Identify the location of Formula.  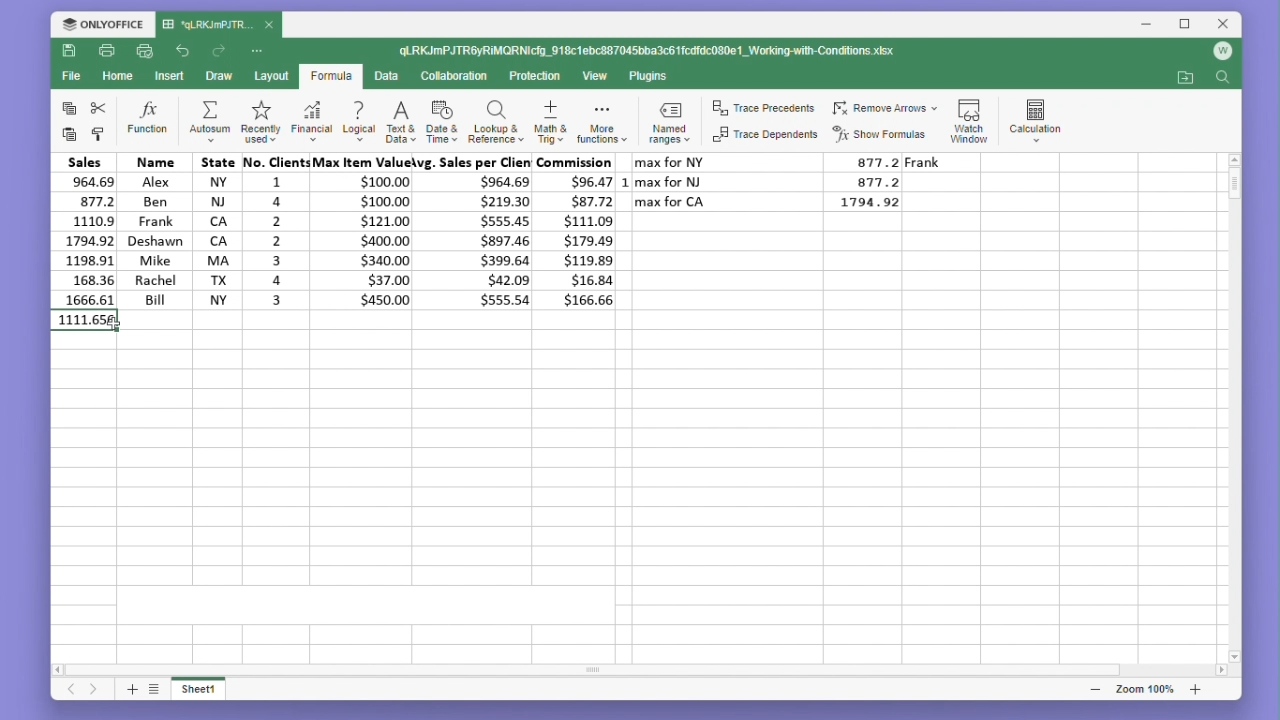
(331, 77).